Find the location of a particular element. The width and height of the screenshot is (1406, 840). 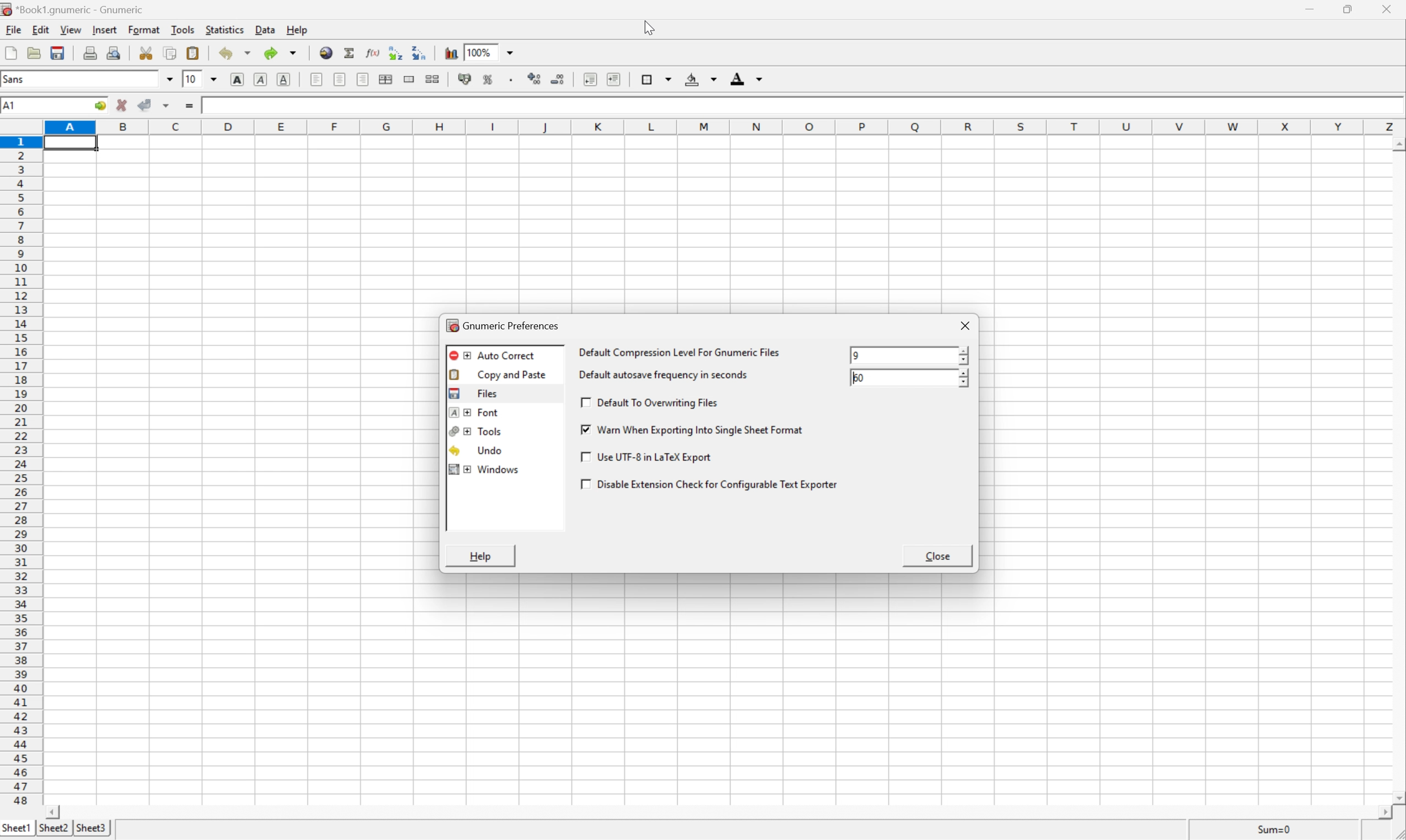

increase indent is located at coordinates (614, 79).